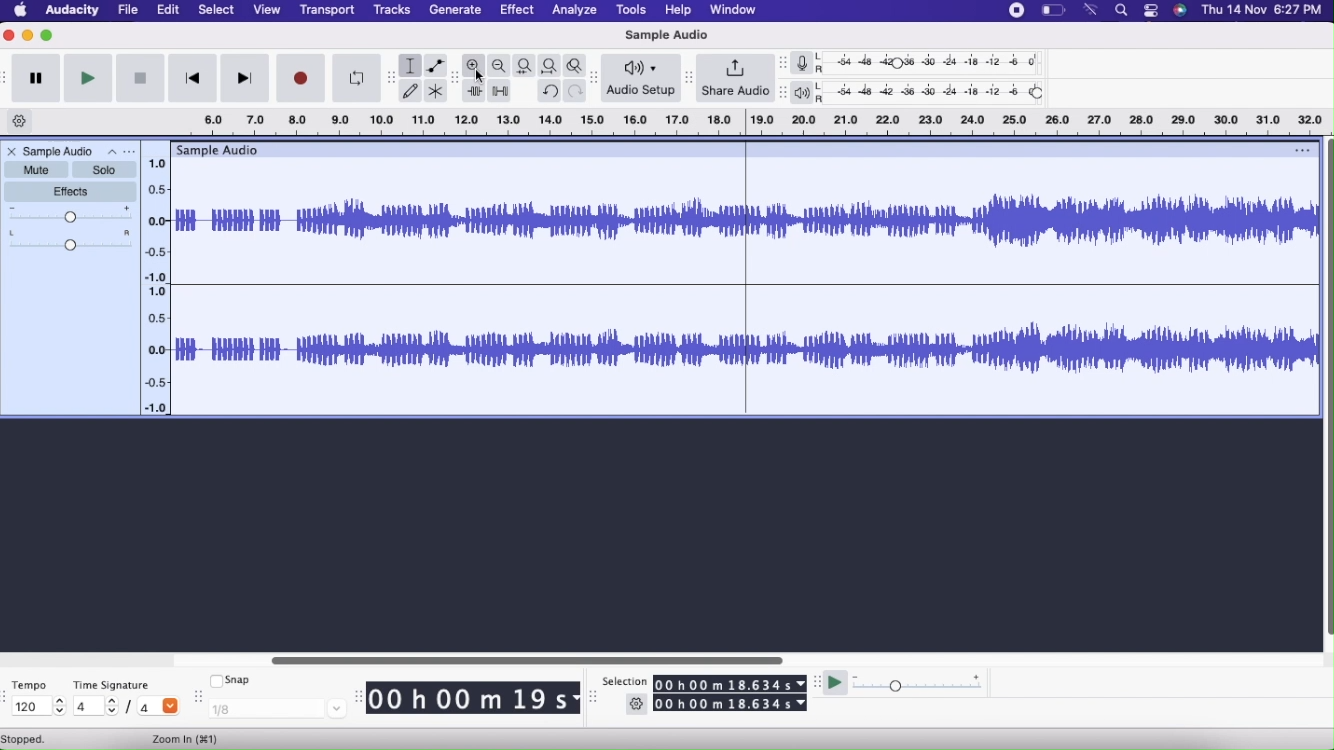 This screenshot has width=1334, height=750. I want to click on Slider, so click(1326, 384).